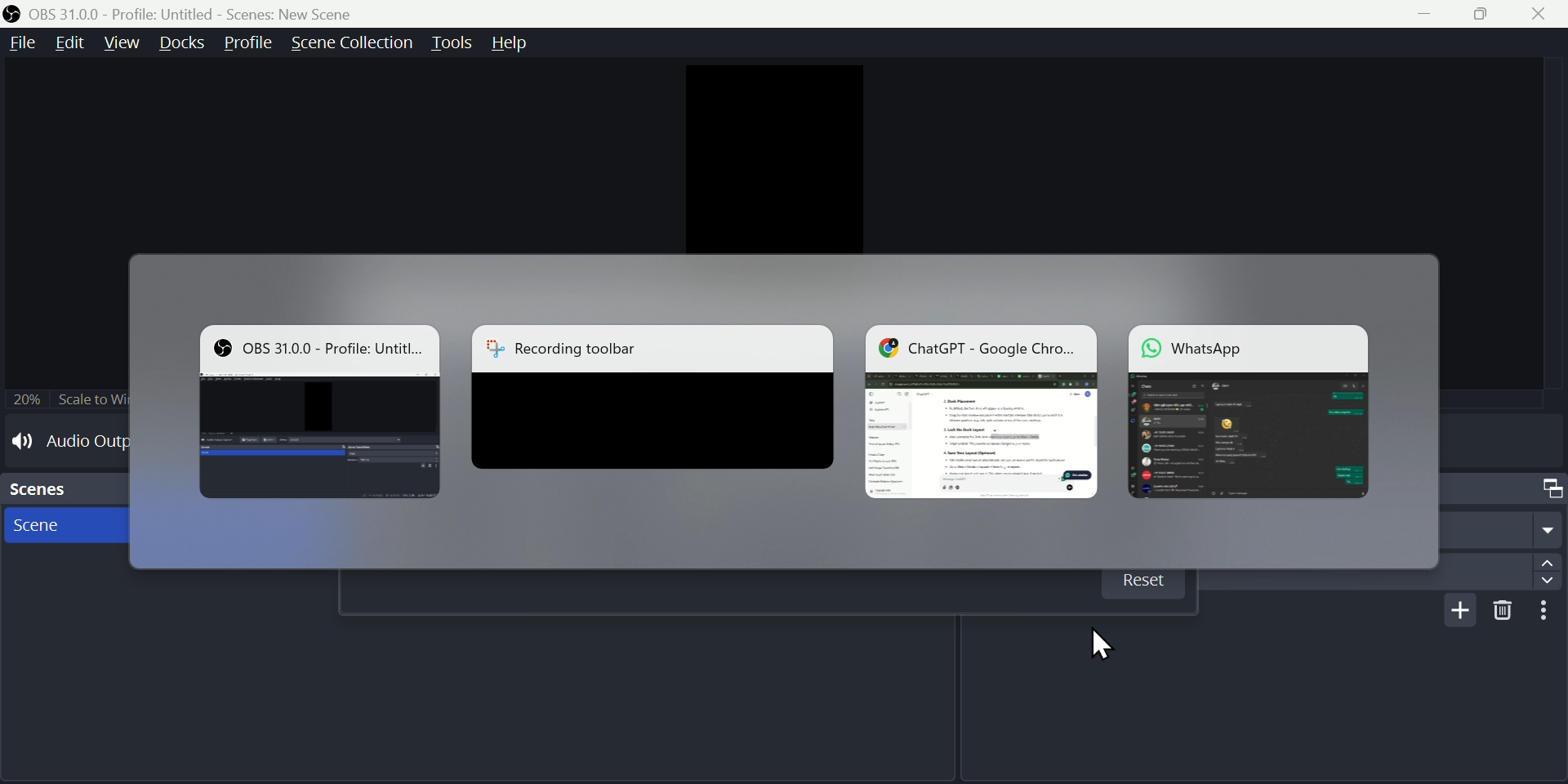 The image size is (1568, 784). Describe the element at coordinates (1423, 16) in the screenshot. I see `minimize` at that location.